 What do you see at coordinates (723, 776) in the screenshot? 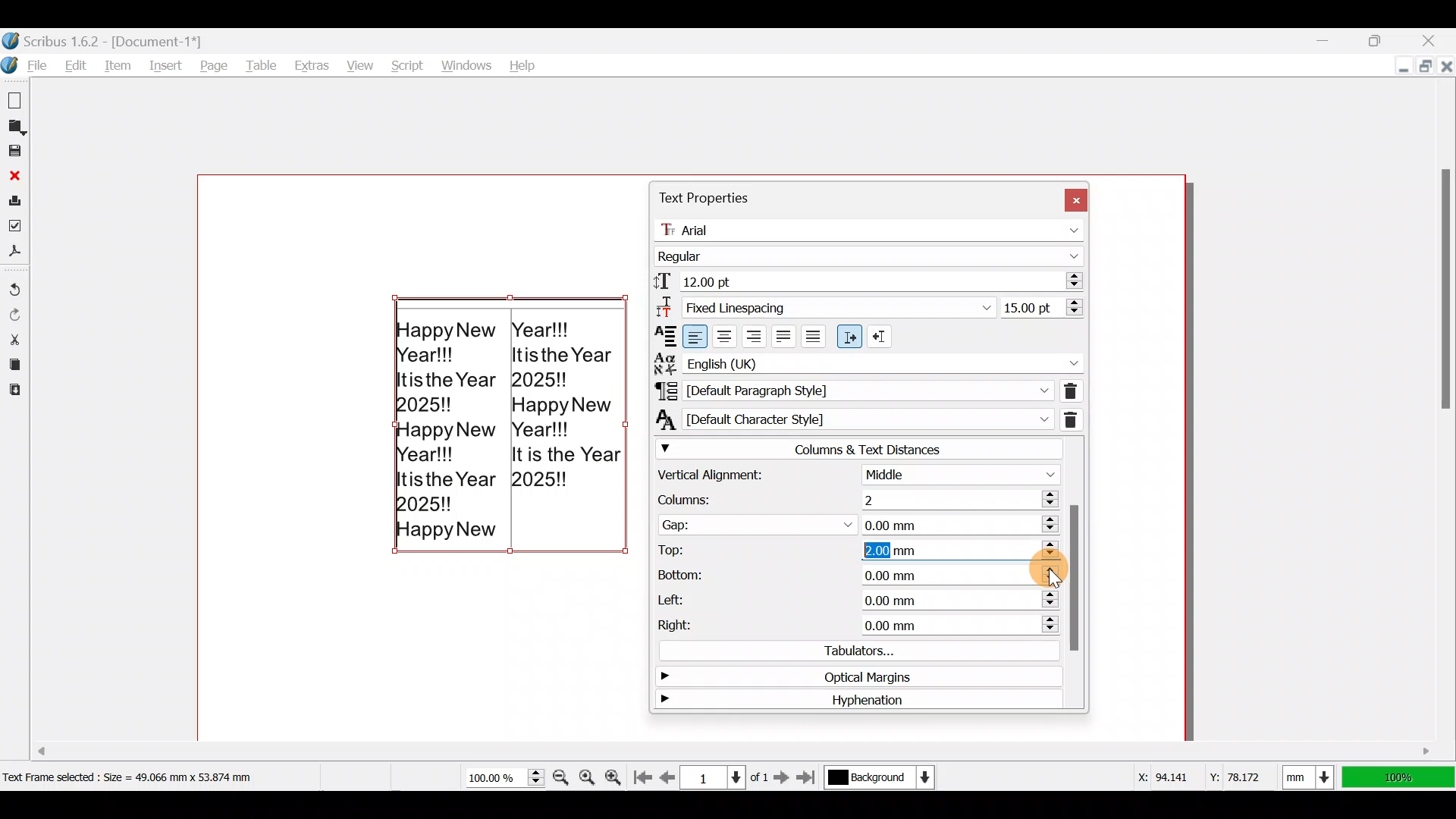
I see `Select current page` at bounding box center [723, 776].